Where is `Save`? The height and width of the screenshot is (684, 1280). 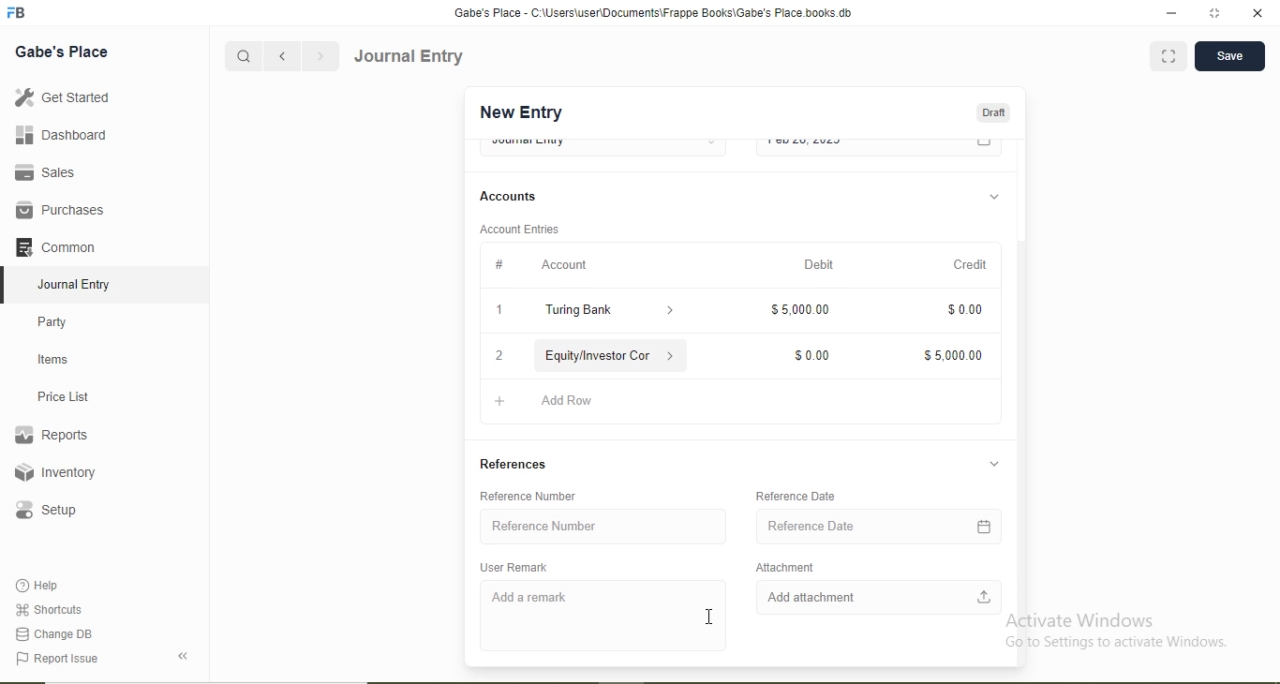 Save is located at coordinates (1229, 54).